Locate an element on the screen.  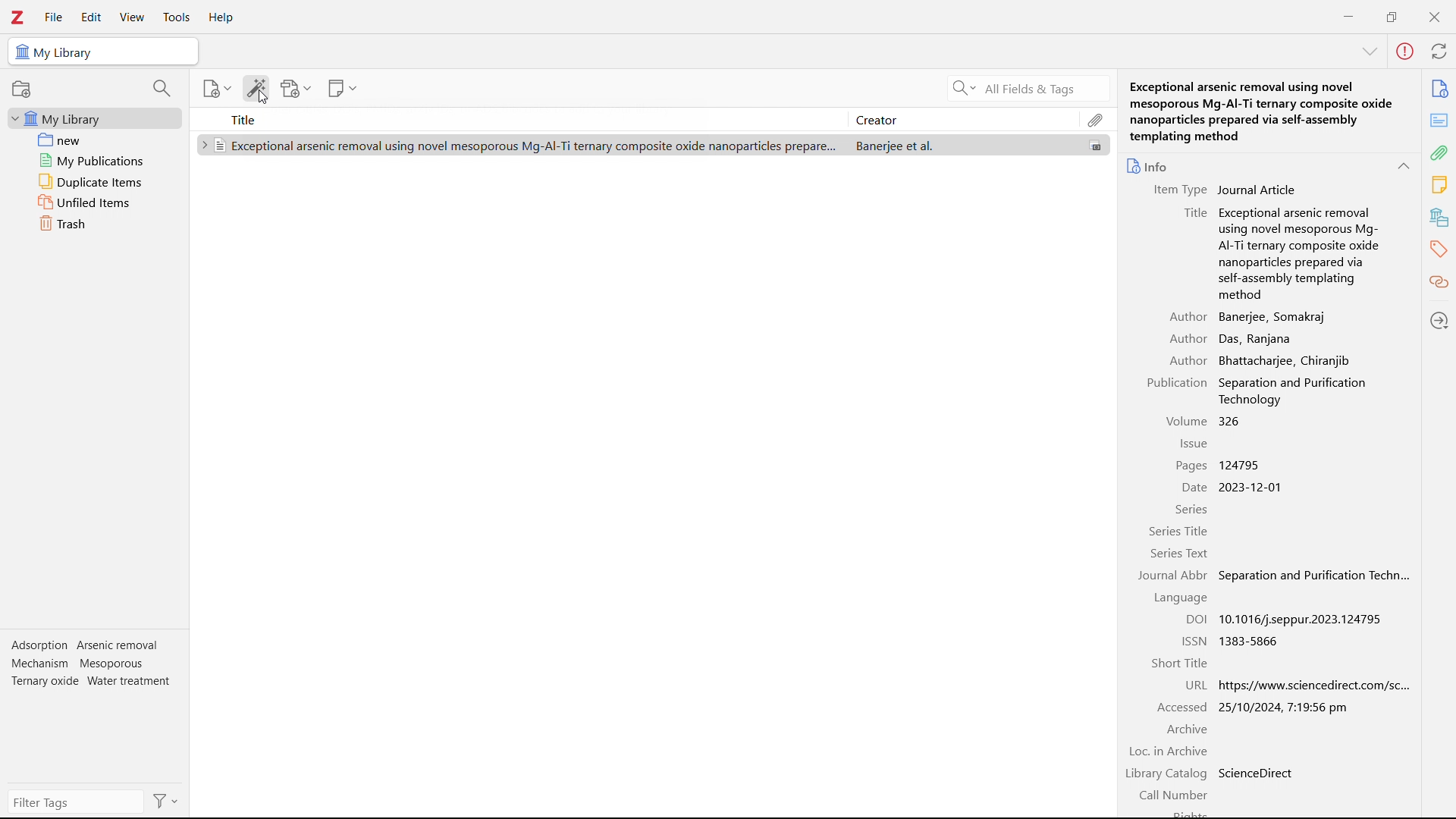
Archive is located at coordinates (1186, 730).